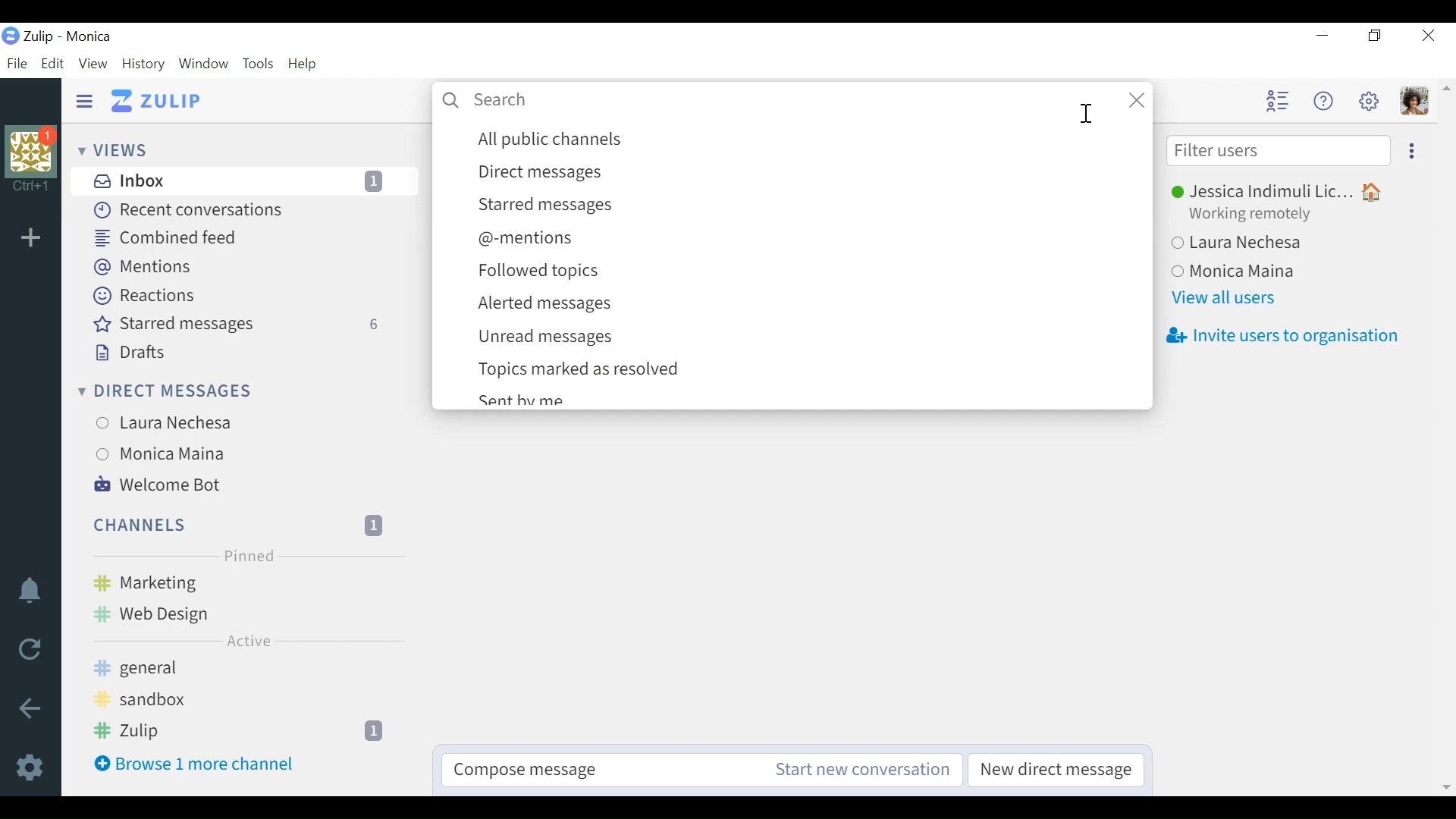  I want to click on Zulip - Monica, so click(69, 37).